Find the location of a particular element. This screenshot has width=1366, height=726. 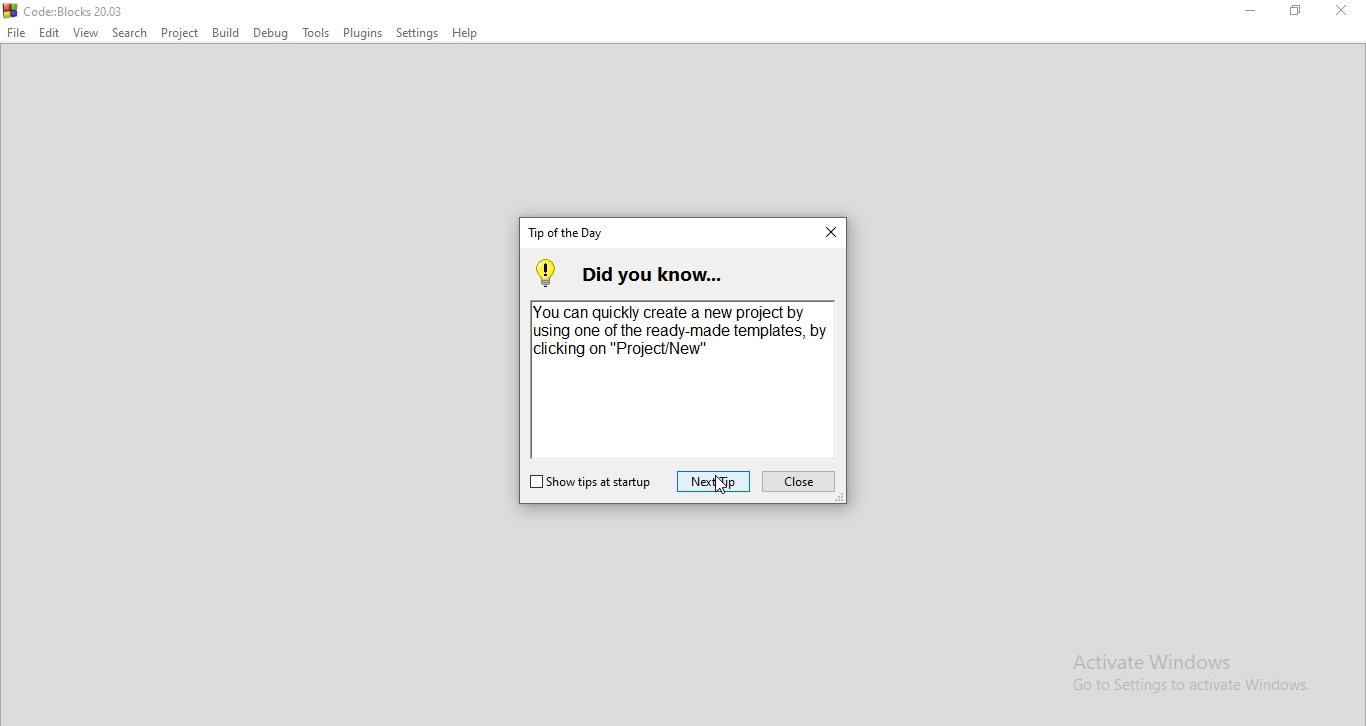

Help is located at coordinates (469, 35).